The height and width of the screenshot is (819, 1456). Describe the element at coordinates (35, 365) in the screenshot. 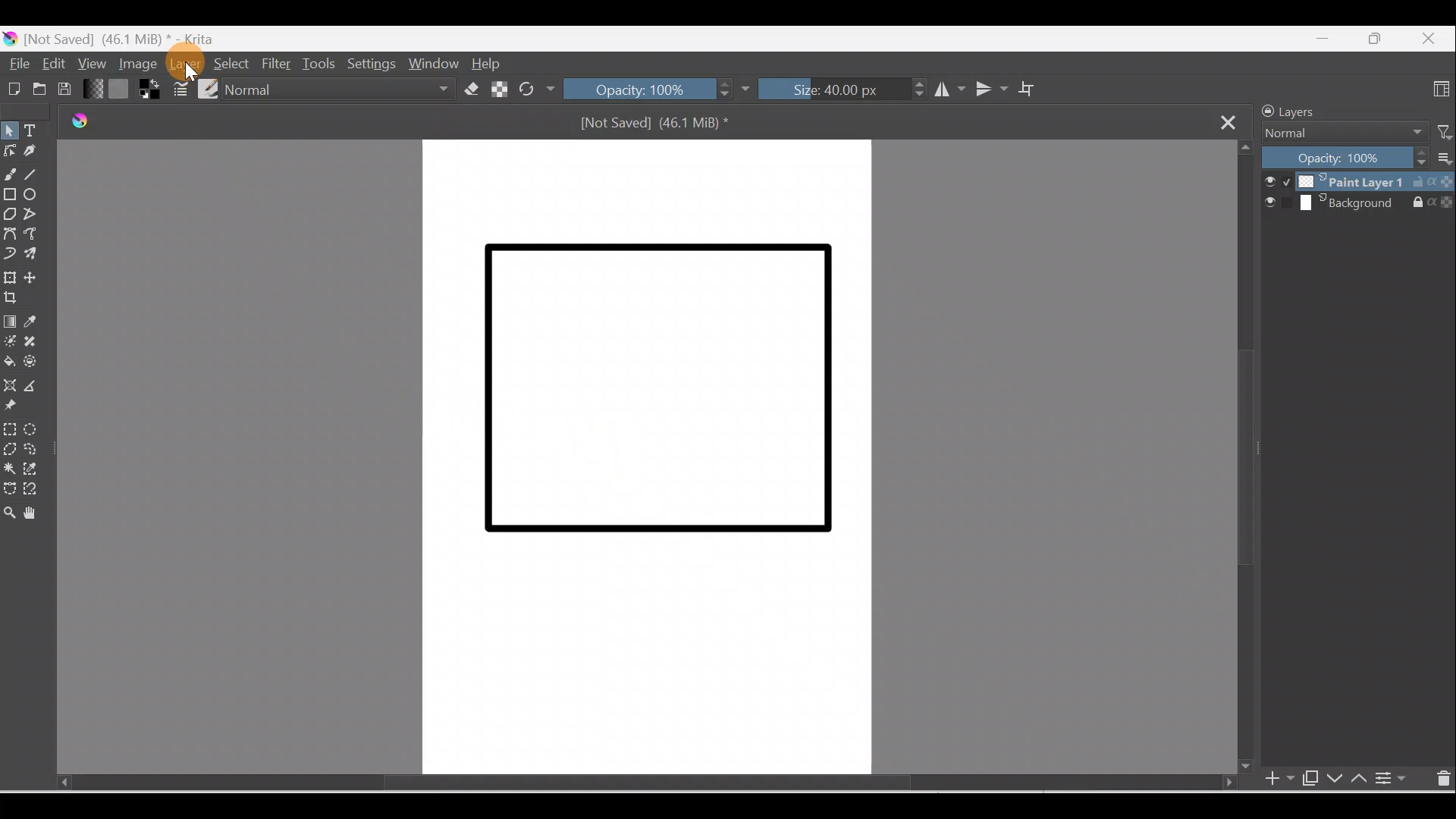

I see `Enclose & fill tool` at that location.